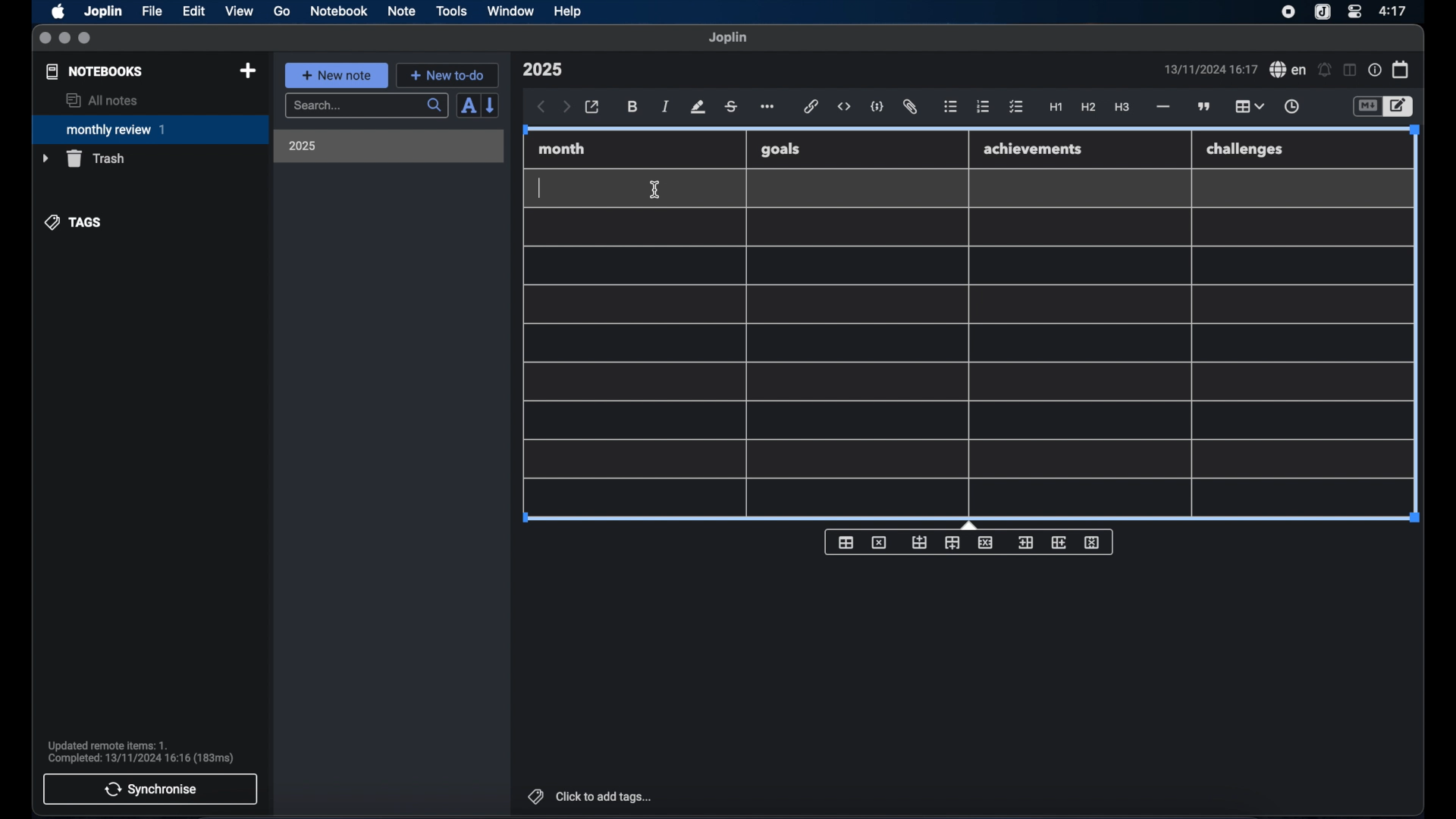 The image size is (1456, 819). Describe the element at coordinates (950, 107) in the screenshot. I see `bulleted list` at that location.